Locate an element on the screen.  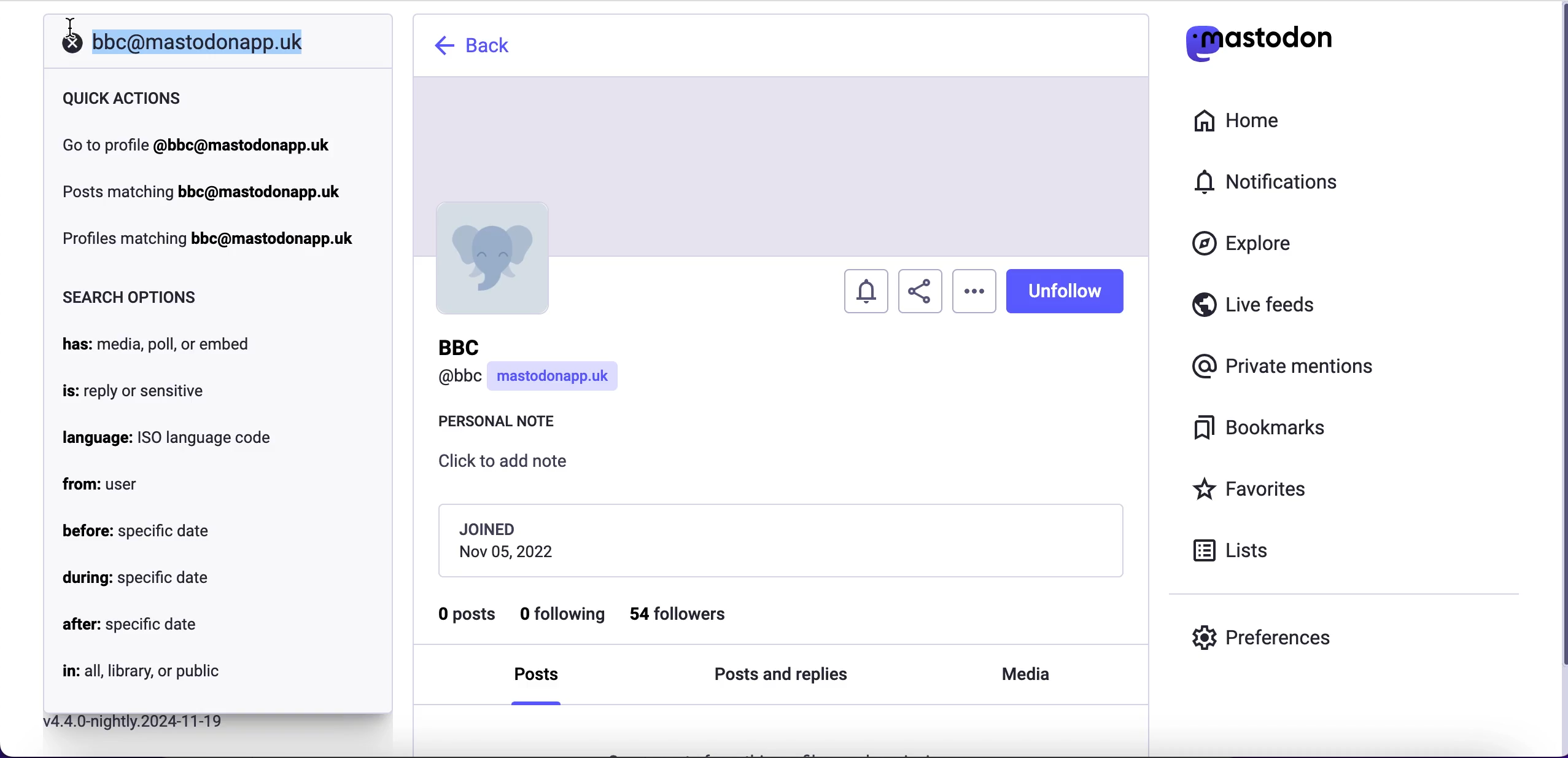
posts is located at coordinates (541, 679).